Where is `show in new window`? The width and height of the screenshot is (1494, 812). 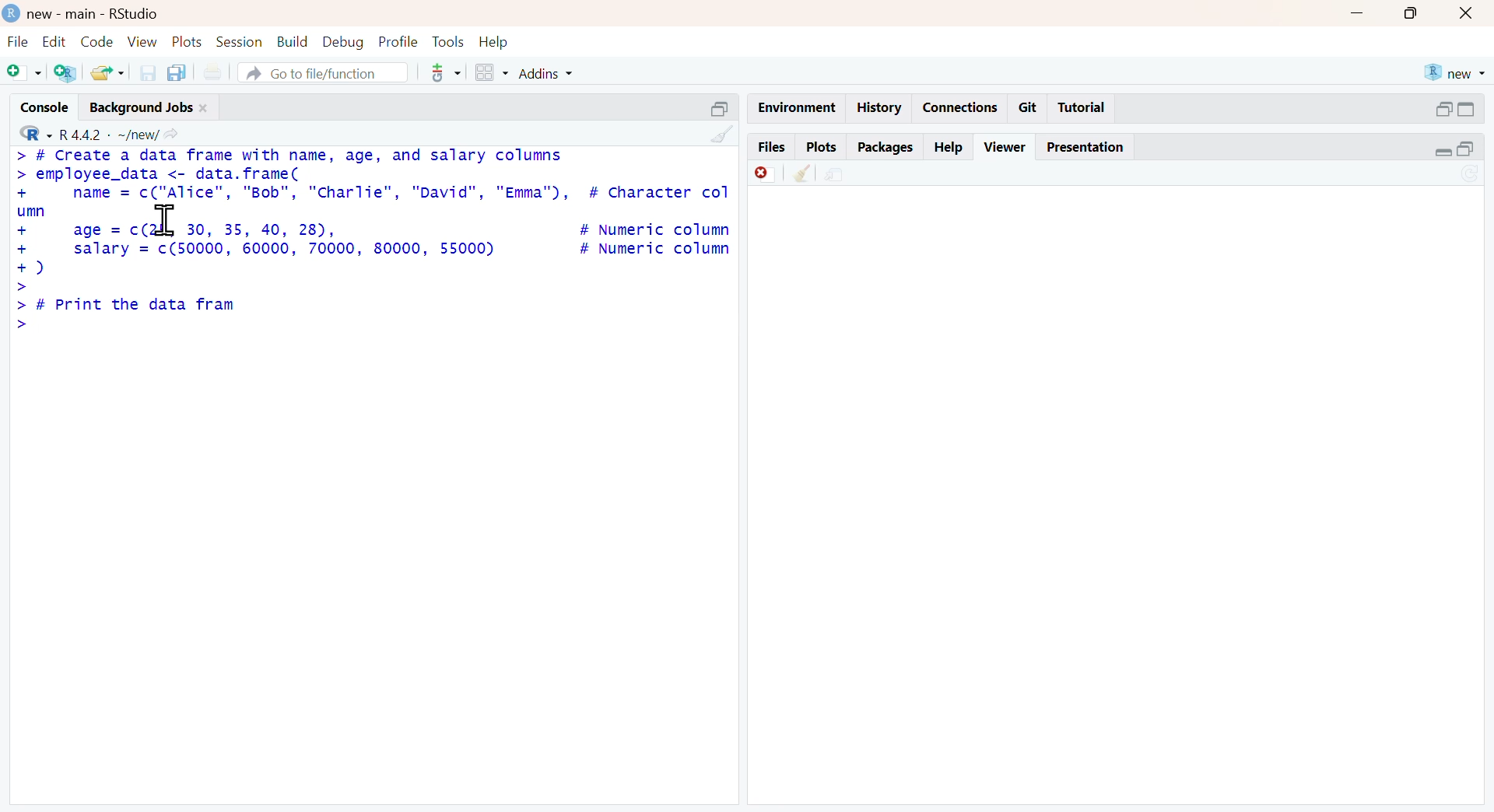 show in new window is located at coordinates (849, 175).